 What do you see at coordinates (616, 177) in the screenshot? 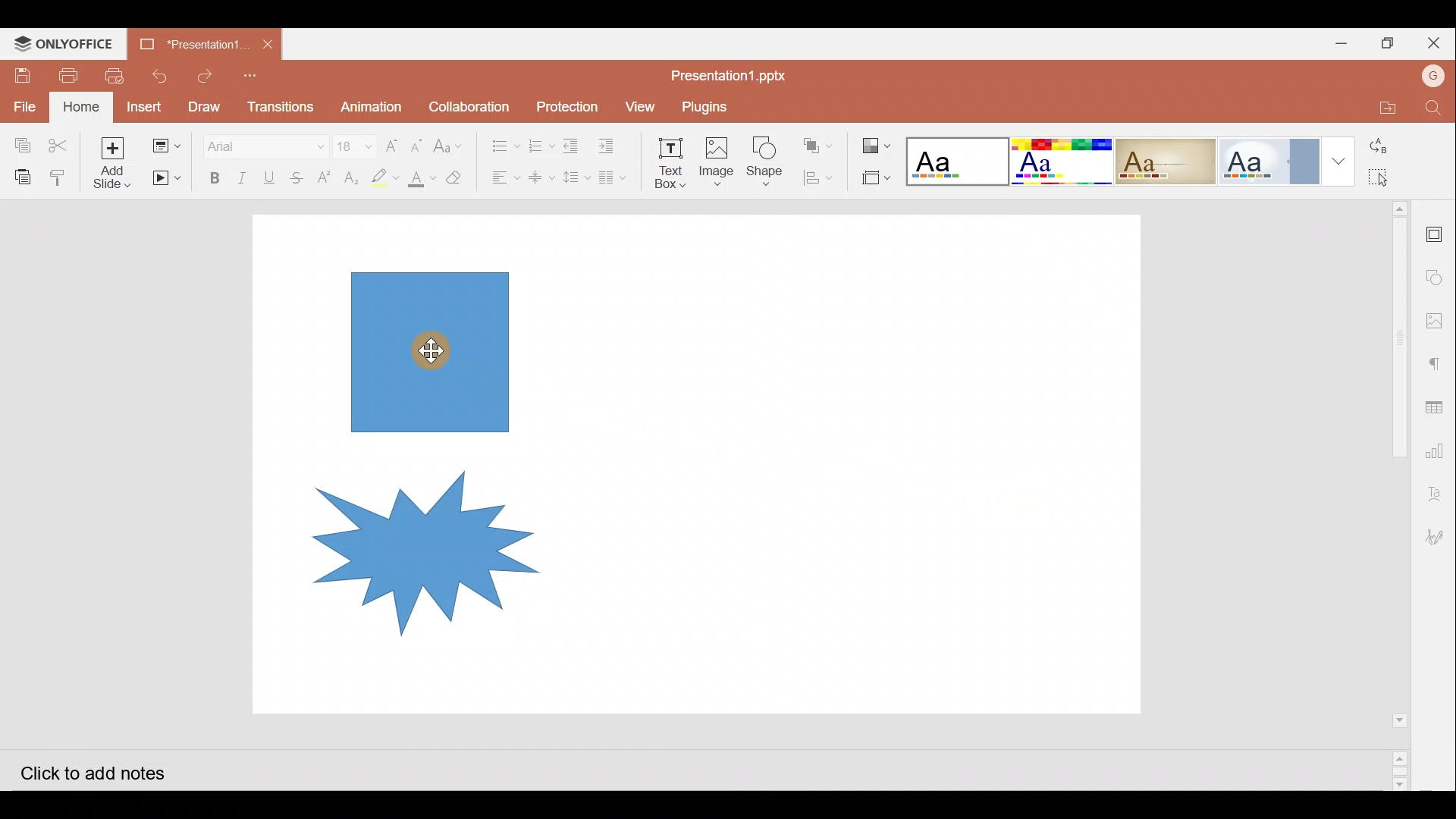
I see `Insert columns` at bounding box center [616, 177].